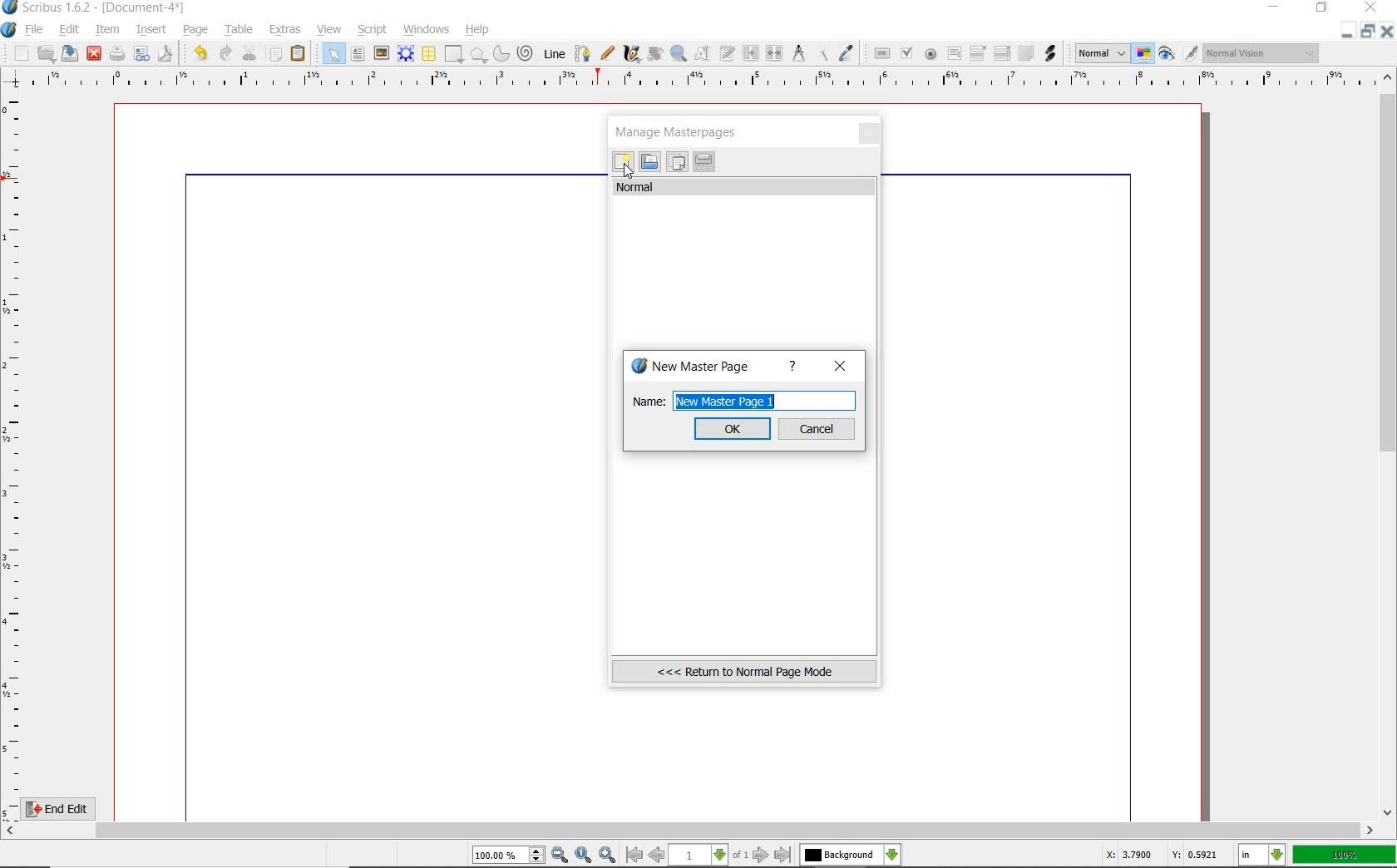 This screenshot has width=1397, height=868. I want to click on close, so click(1389, 31).